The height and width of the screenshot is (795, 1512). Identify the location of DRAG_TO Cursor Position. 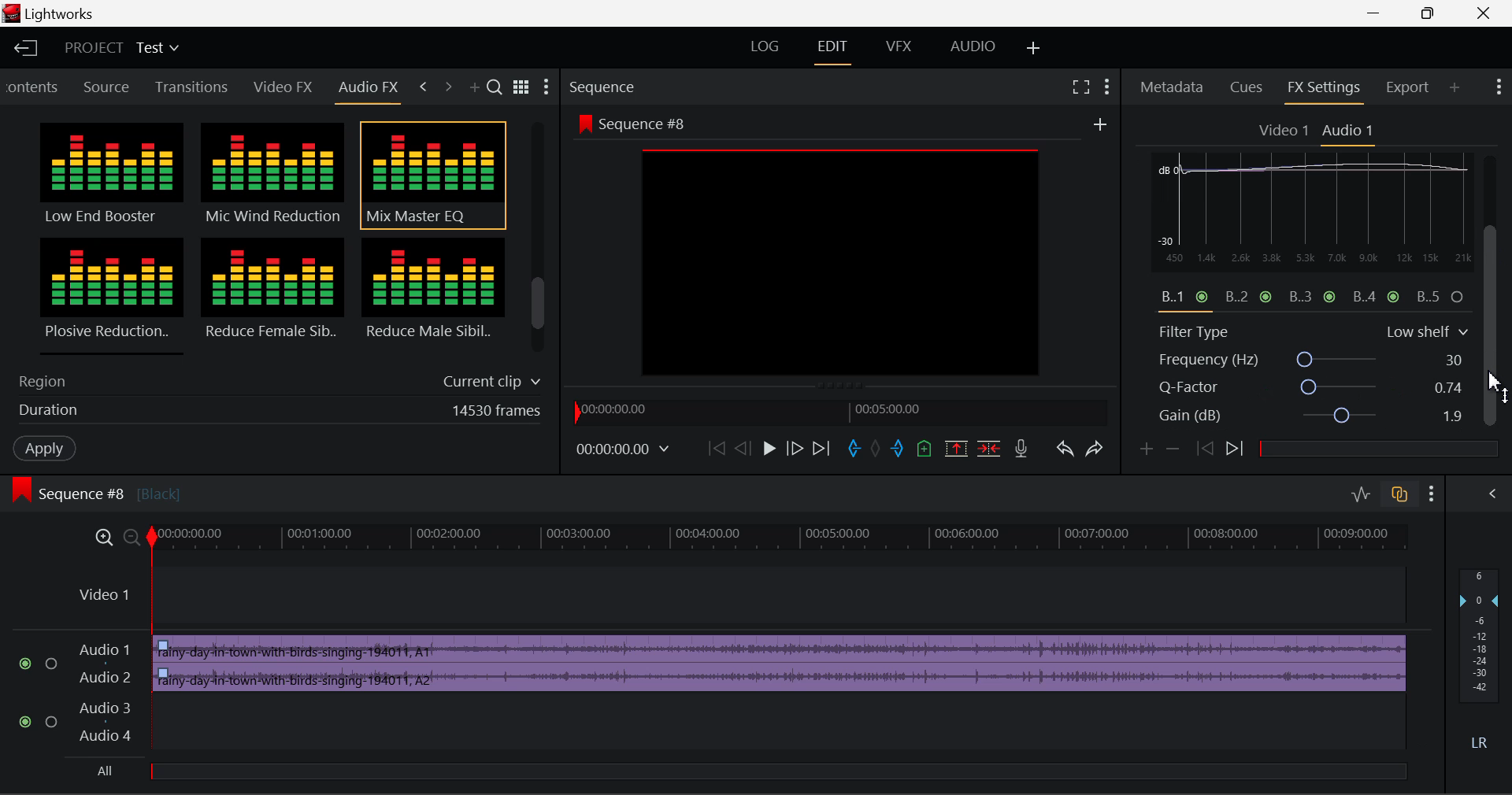
(1496, 390).